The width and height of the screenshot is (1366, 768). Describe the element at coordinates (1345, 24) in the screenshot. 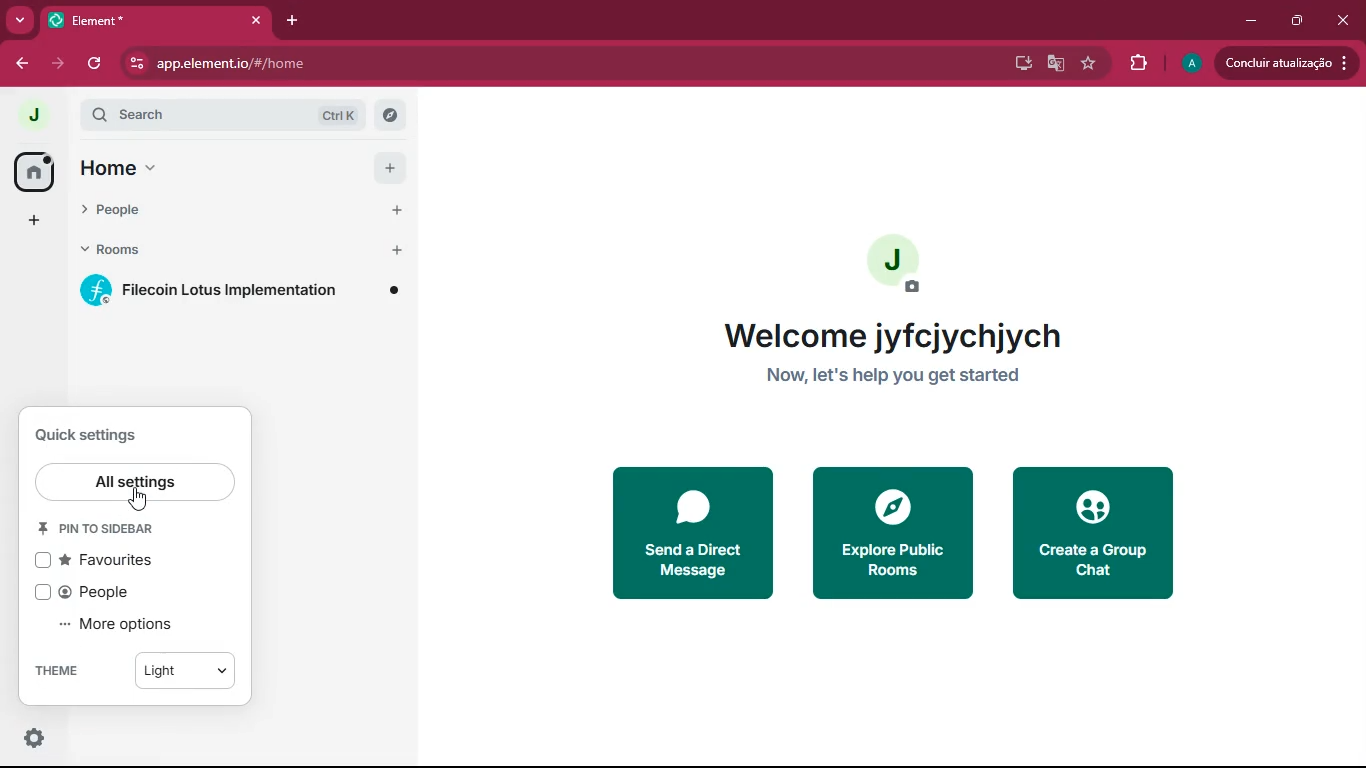

I see `close` at that location.